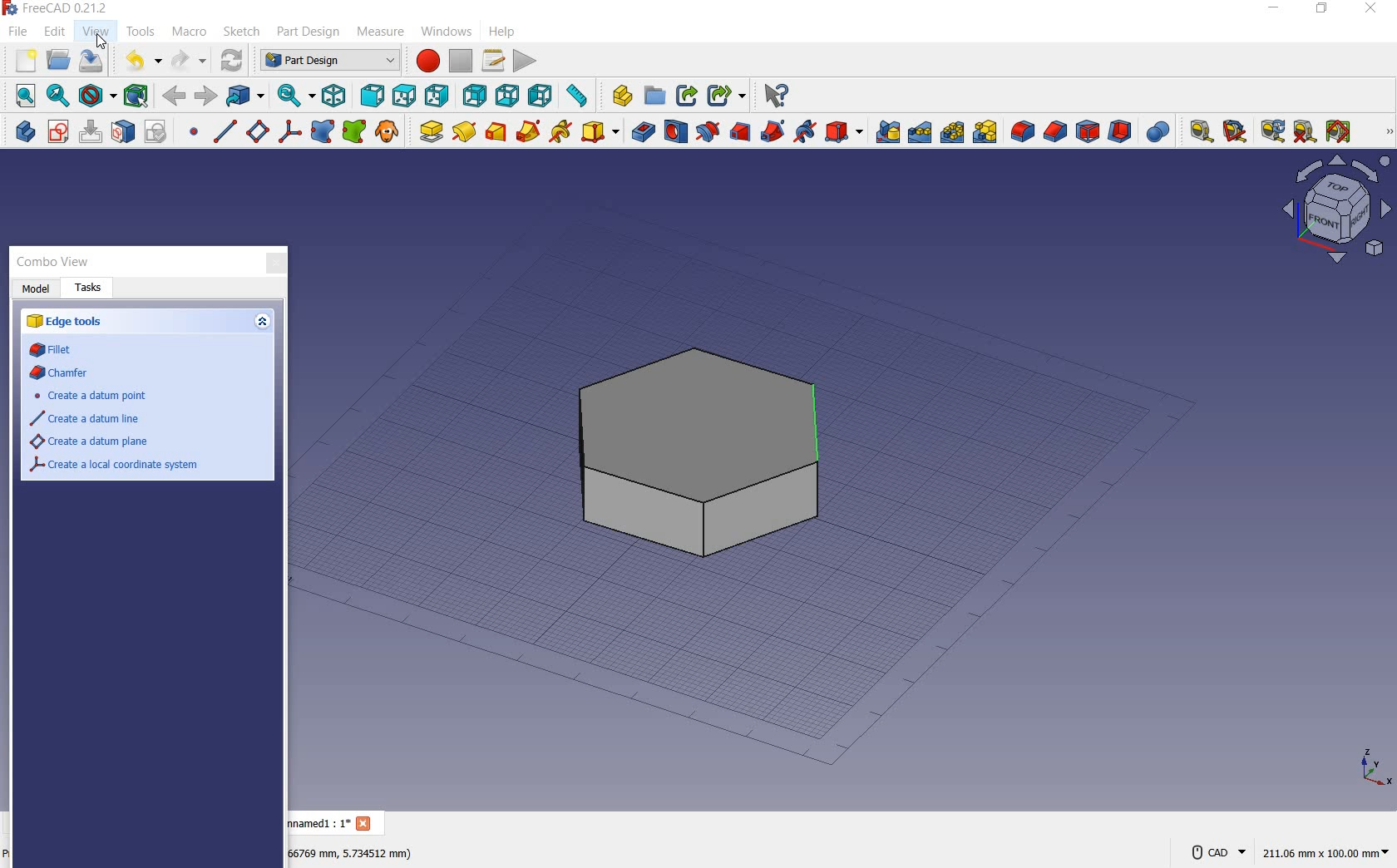 The height and width of the screenshot is (868, 1397). I want to click on additive pipe, so click(529, 131).